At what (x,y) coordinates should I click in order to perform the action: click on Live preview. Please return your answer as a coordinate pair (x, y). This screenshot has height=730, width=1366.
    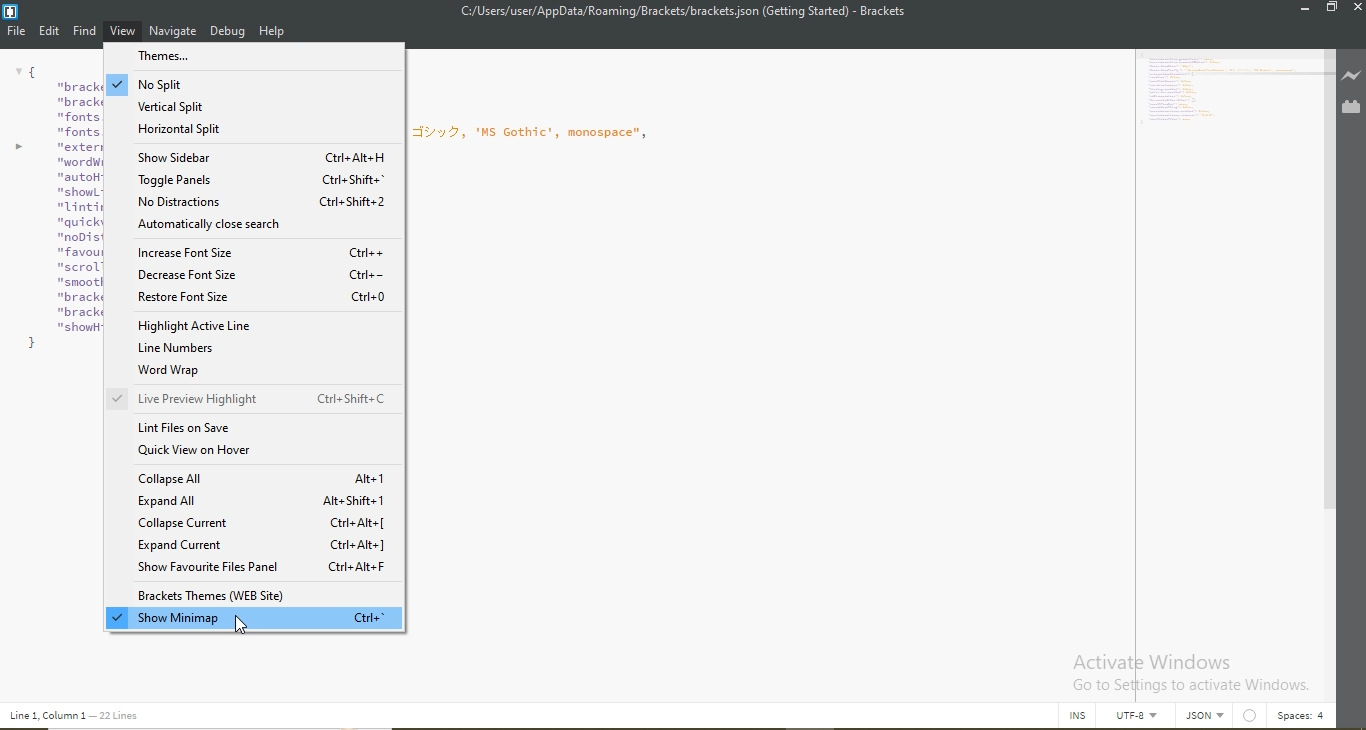
    Looking at the image, I should click on (1351, 76).